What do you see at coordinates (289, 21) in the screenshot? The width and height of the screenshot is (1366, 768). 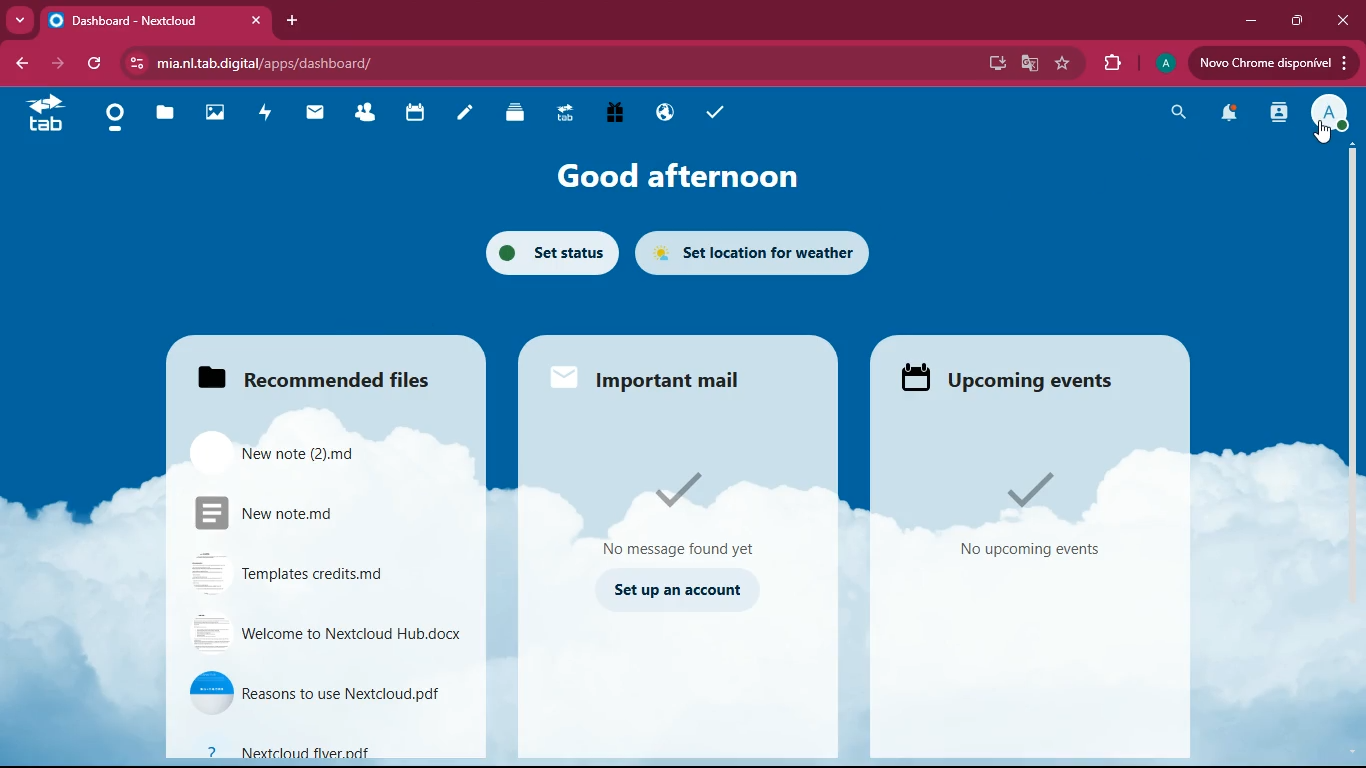 I see `add tab` at bounding box center [289, 21].